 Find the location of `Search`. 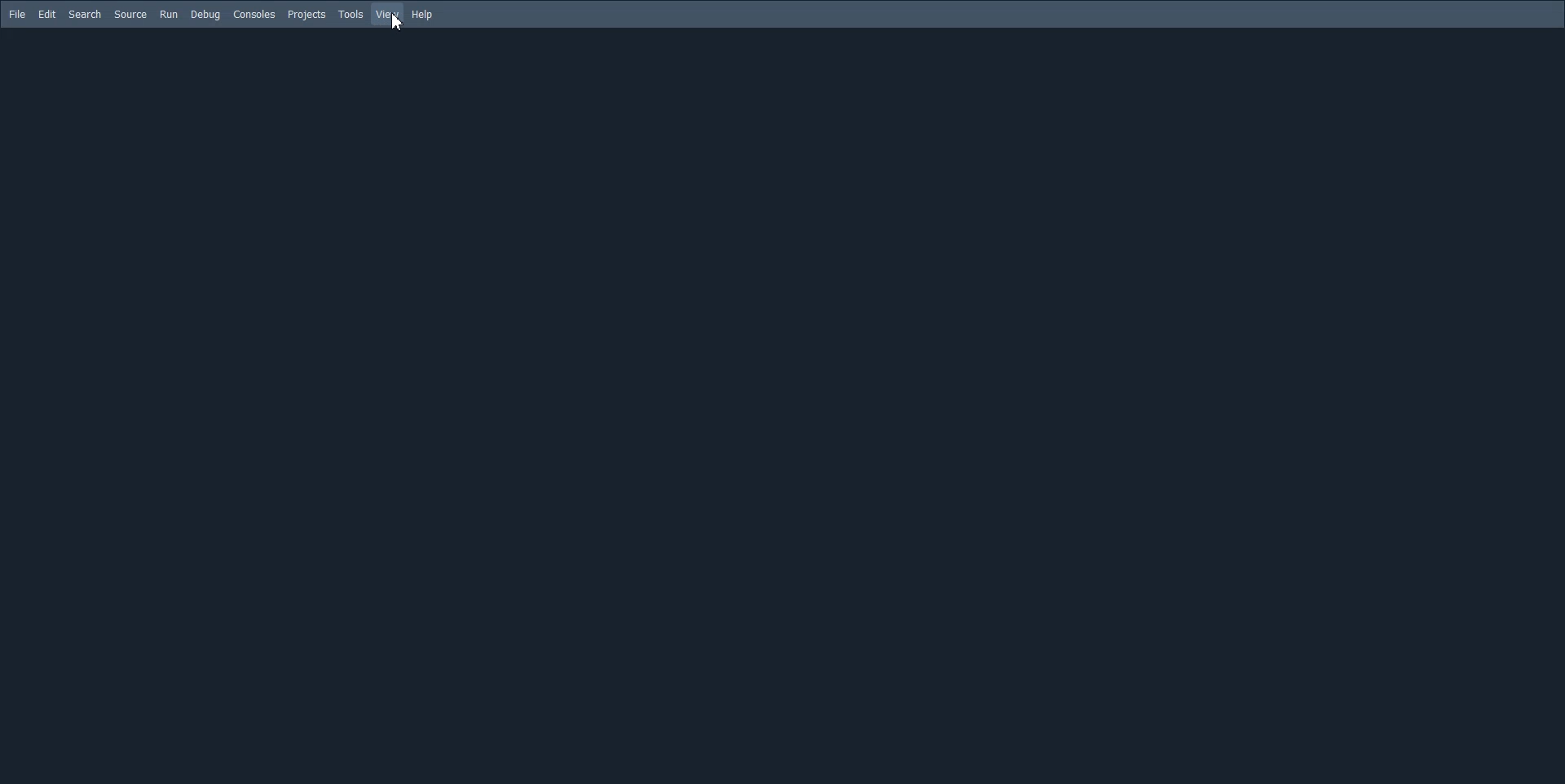

Search is located at coordinates (86, 15).